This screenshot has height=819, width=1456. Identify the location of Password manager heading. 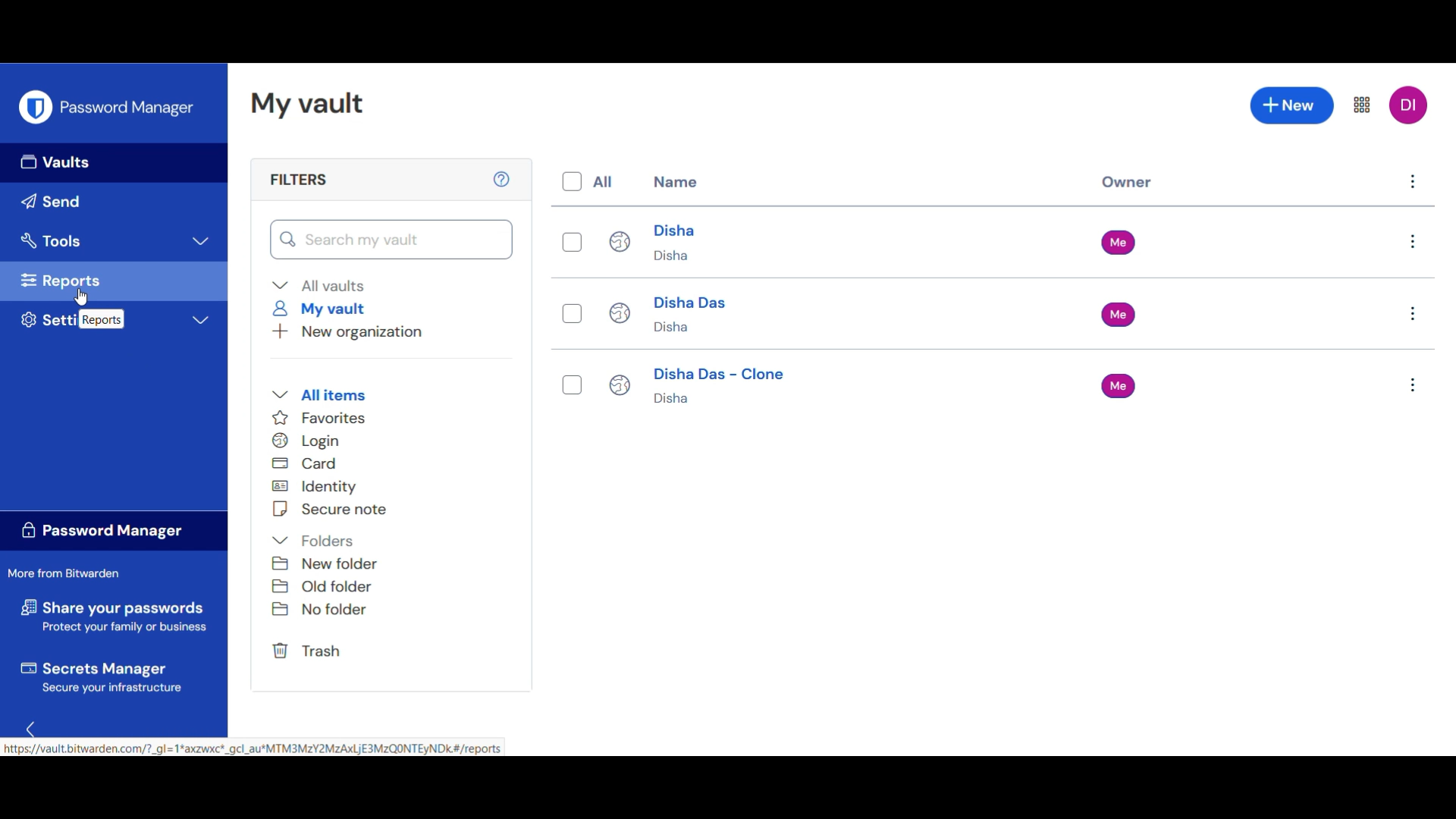
(130, 107).